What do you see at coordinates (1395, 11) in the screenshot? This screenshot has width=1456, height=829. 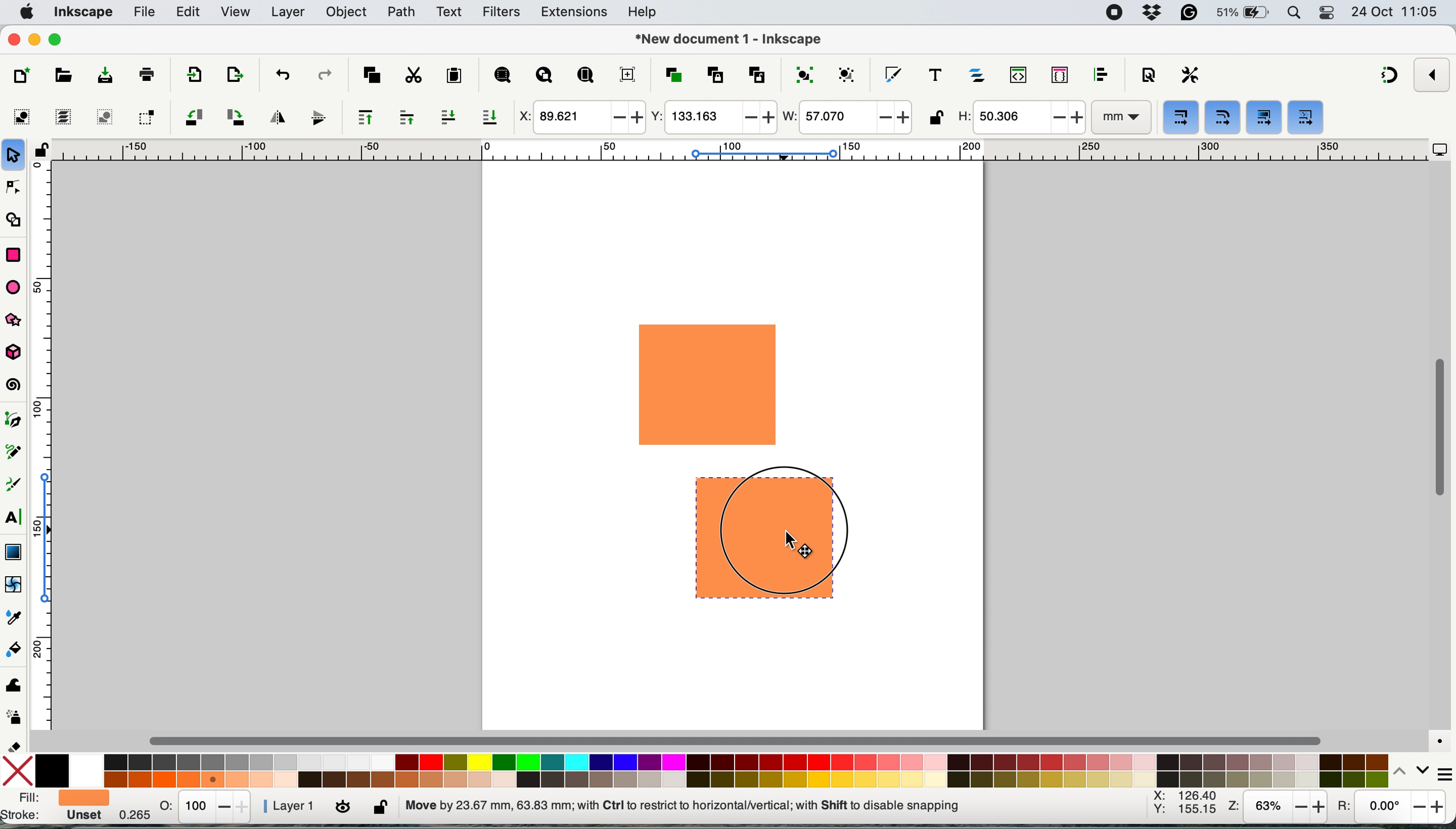 I see `date and time` at bounding box center [1395, 11].